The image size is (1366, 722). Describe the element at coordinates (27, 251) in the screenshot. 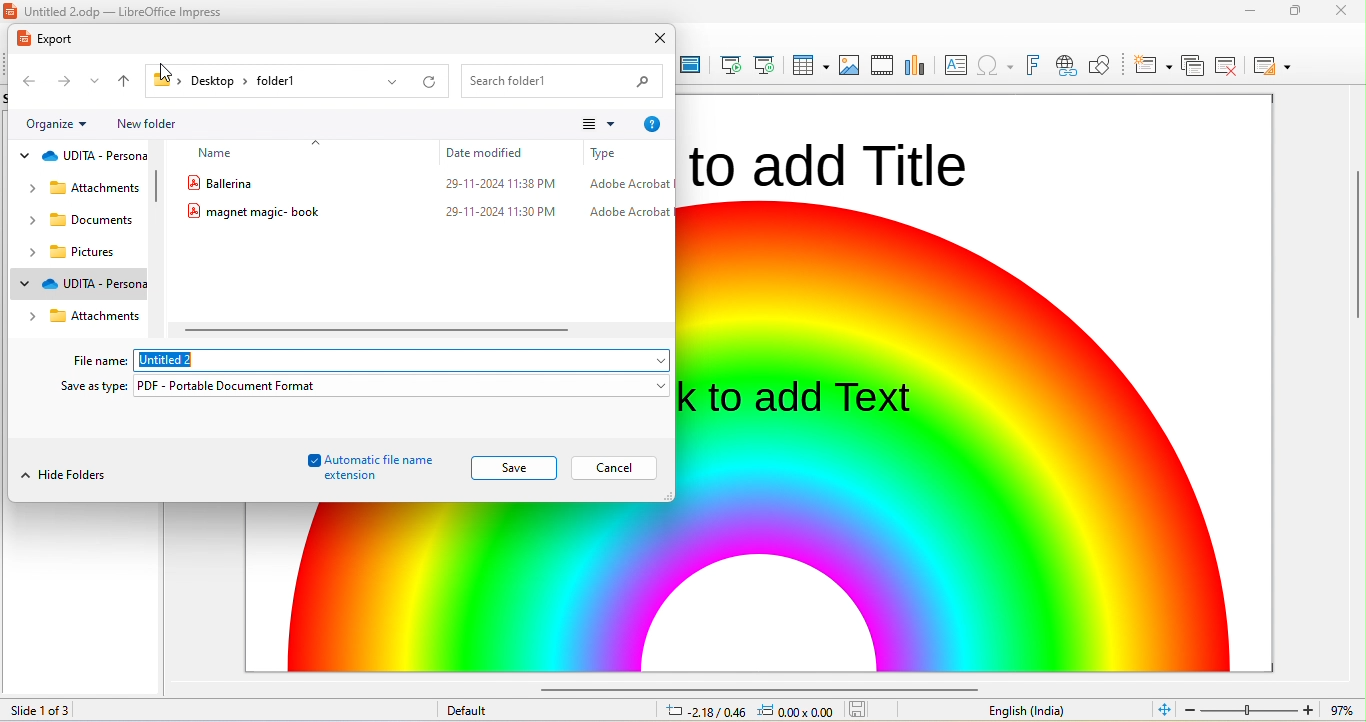

I see `drop down` at that location.